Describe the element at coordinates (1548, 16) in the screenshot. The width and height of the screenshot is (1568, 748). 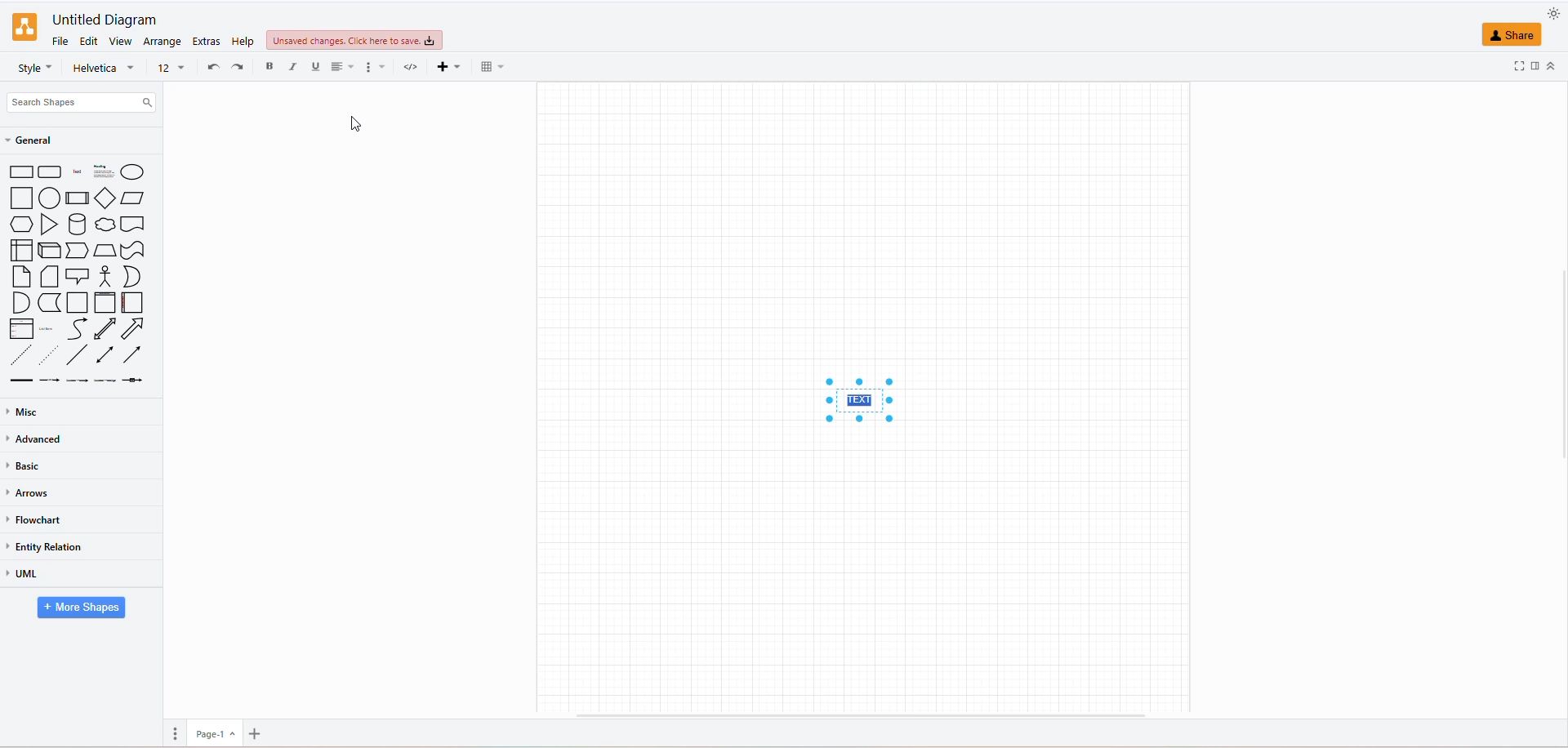
I see `appearance` at that location.